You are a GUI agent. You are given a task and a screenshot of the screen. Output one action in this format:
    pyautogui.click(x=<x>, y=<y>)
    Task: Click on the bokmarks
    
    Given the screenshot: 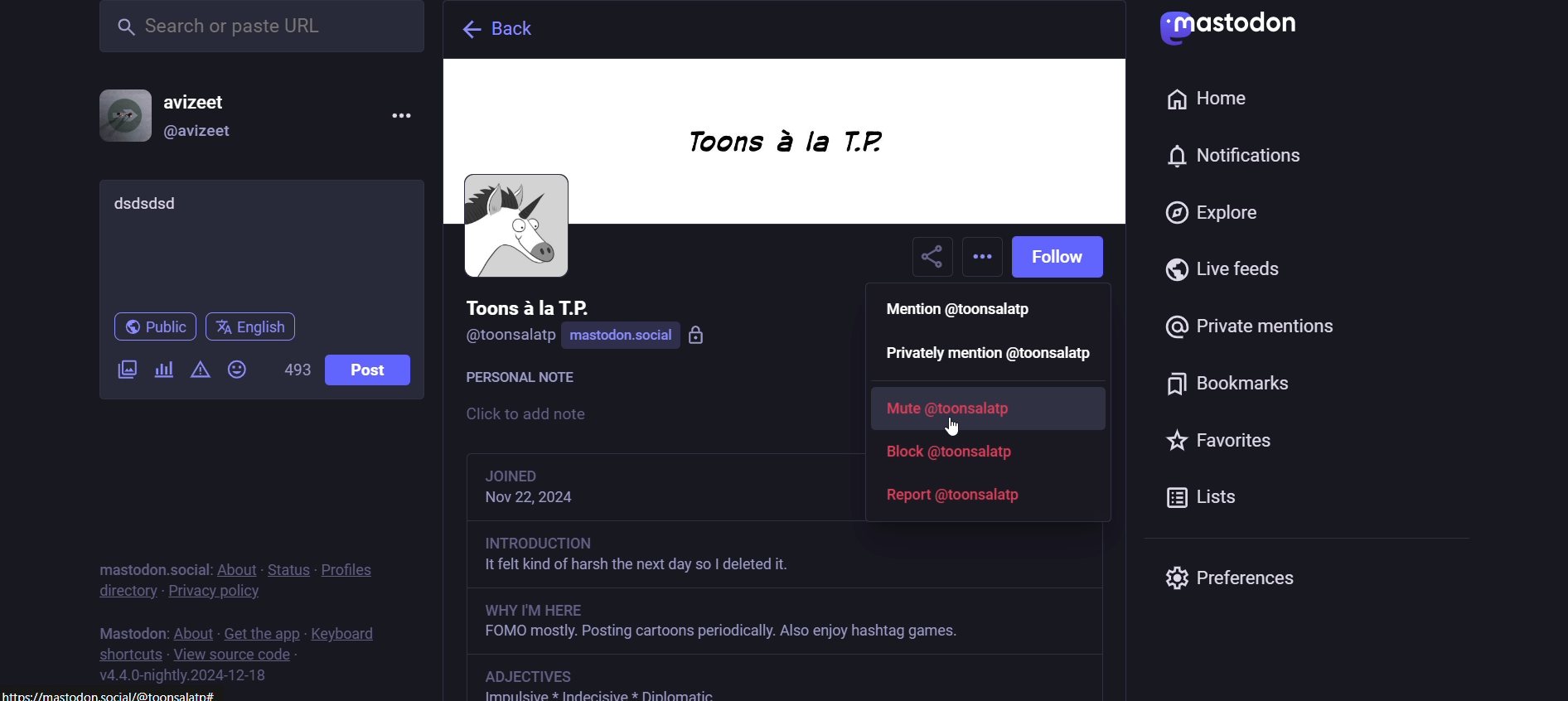 What is the action you would take?
    pyautogui.click(x=1241, y=392)
    